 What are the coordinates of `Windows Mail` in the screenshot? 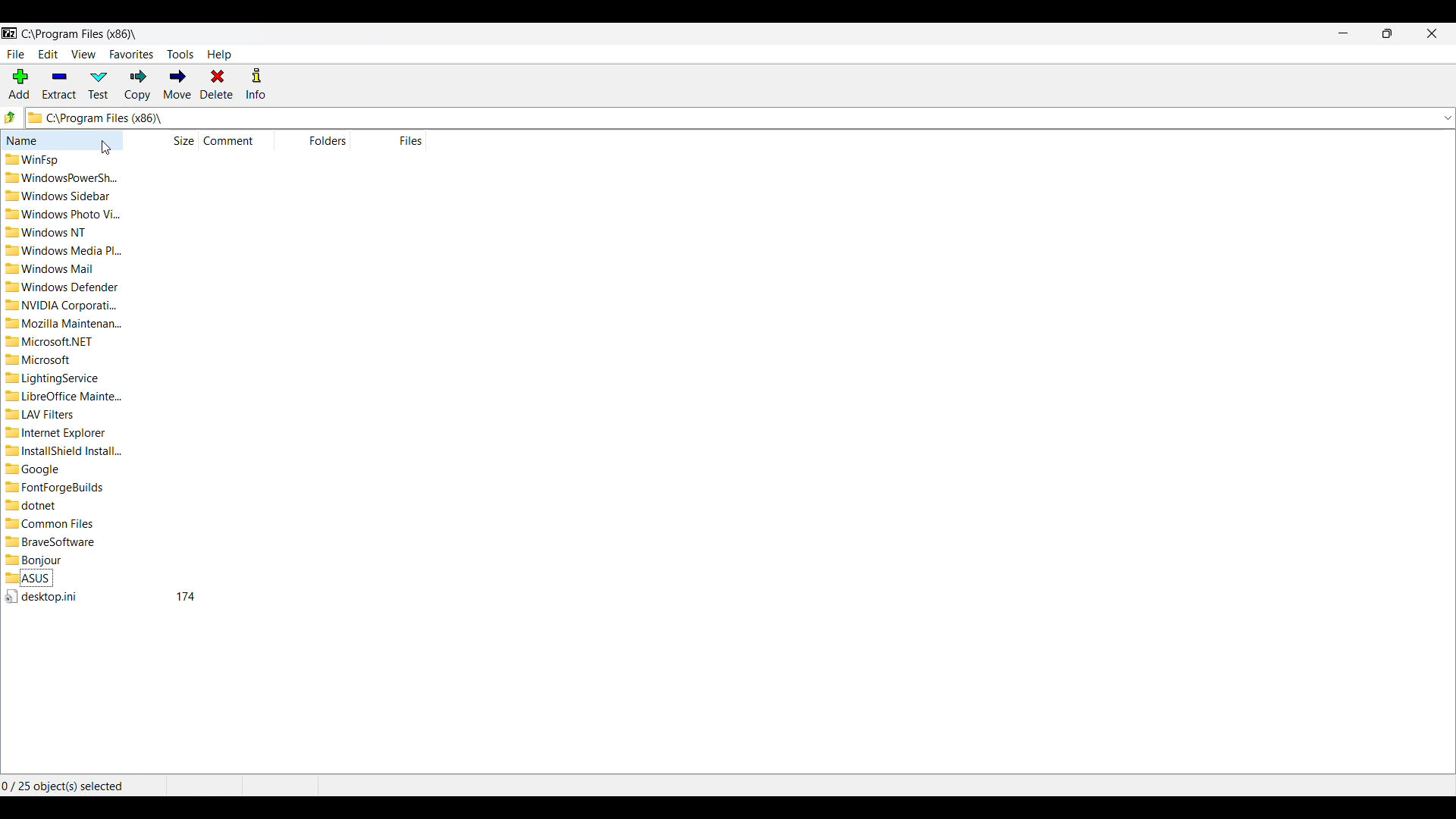 It's located at (61, 267).